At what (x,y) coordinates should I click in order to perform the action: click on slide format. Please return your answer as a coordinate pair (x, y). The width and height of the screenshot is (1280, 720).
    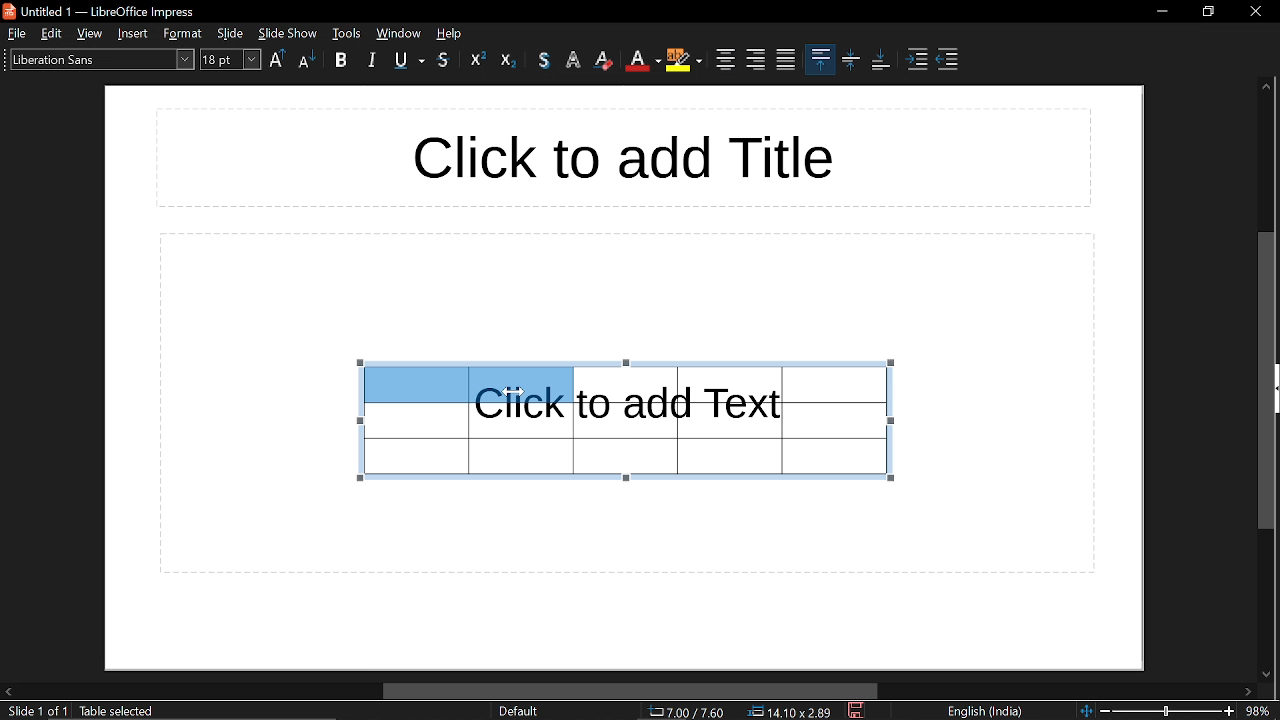
    Looking at the image, I should click on (518, 711).